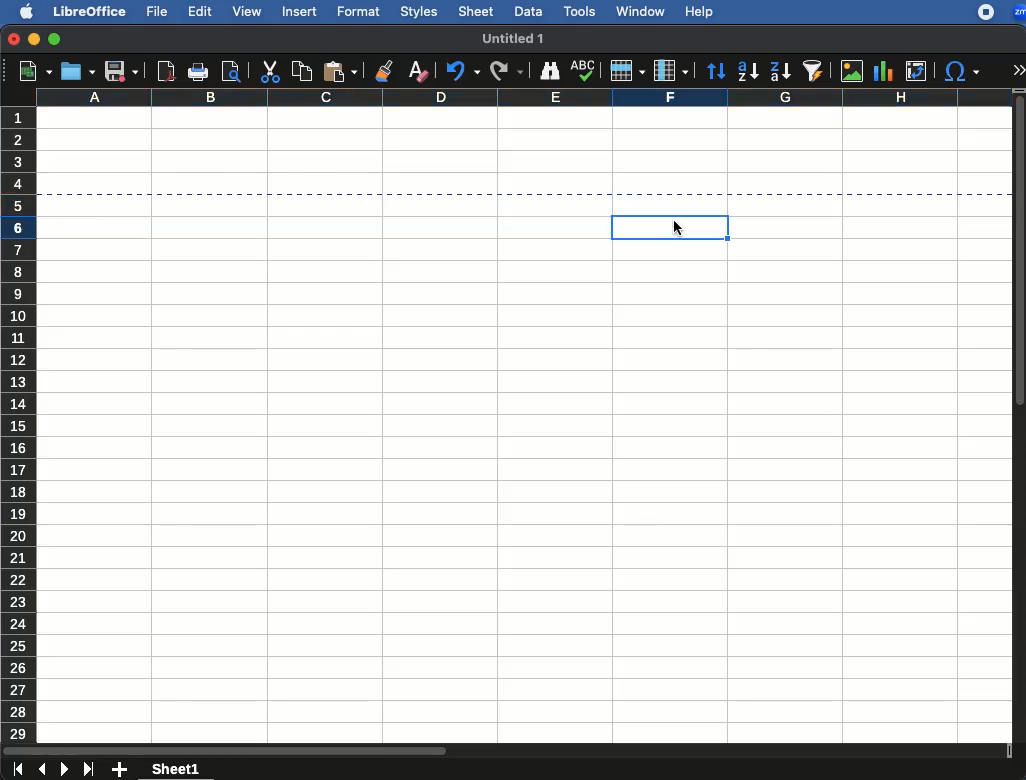  Describe the element at coordinates (519, 98) in the screenshot. I see `column` at that location.